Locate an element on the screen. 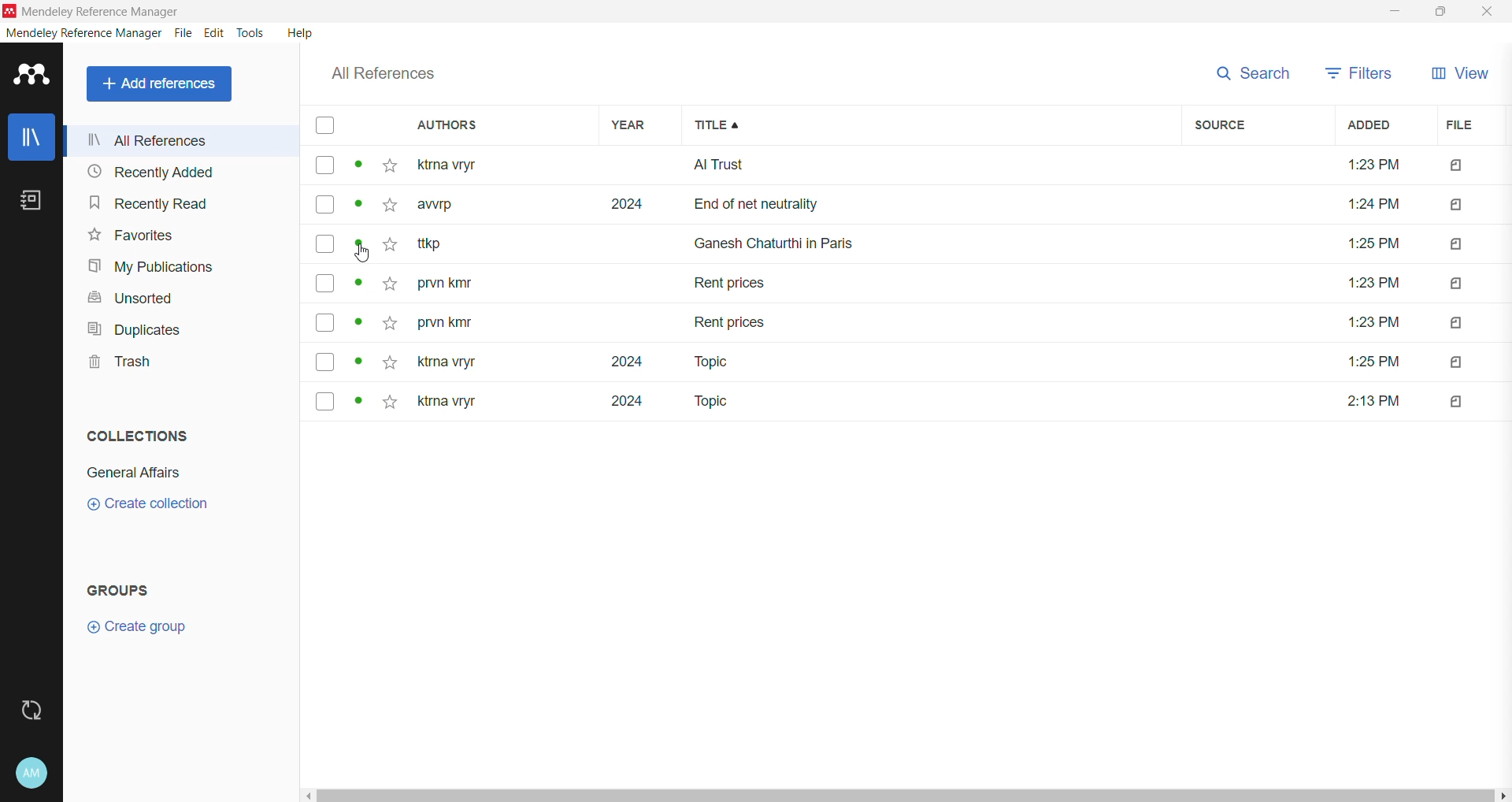  Added time of files is located at coordinates (1387, 281).